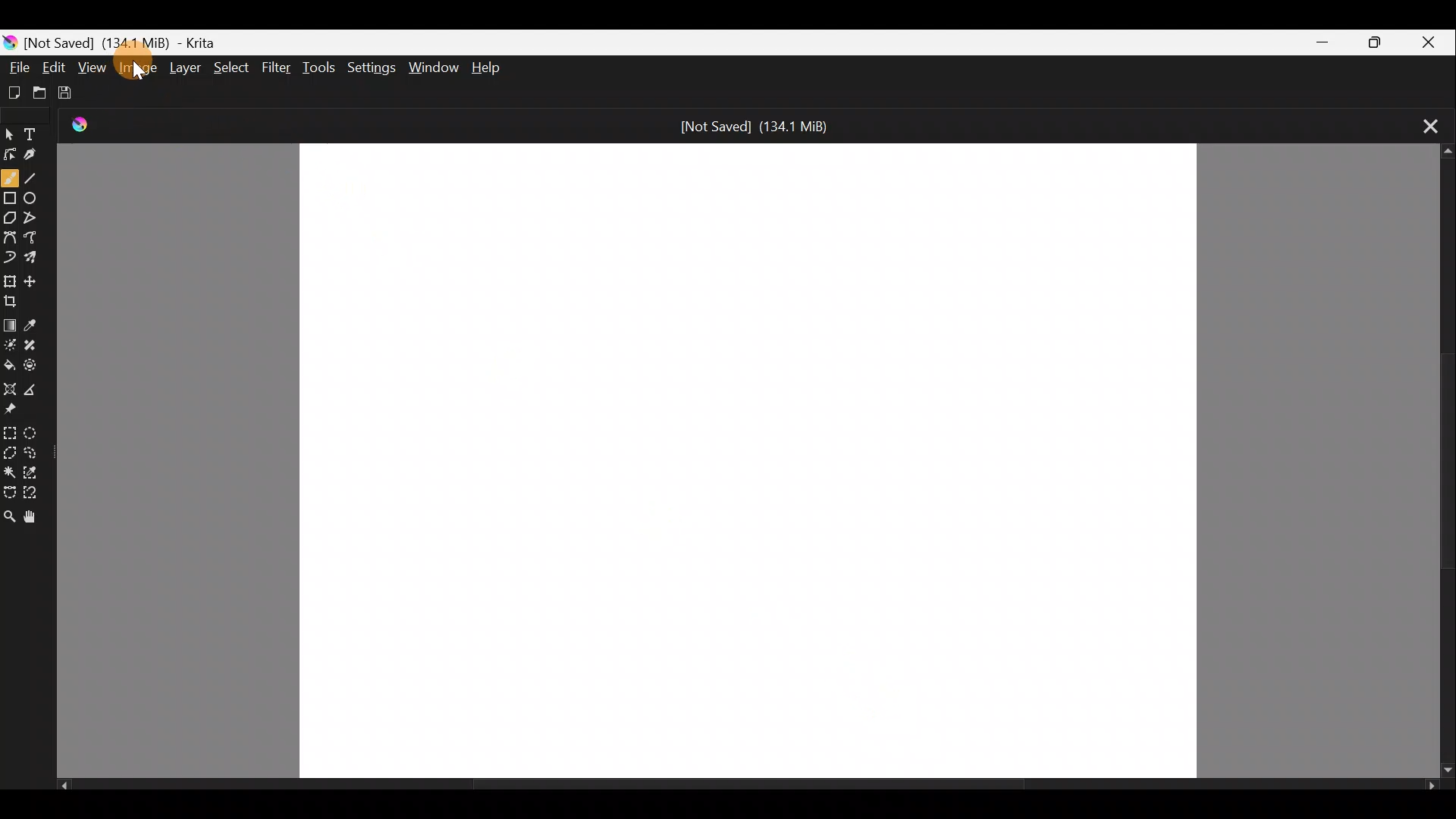 The width and height of the screenshot is (1456, 819). What do you see at coordinates (11, 454) in the screenshot?
I see `Polygonal section tool` at bounding box center [11, 454].